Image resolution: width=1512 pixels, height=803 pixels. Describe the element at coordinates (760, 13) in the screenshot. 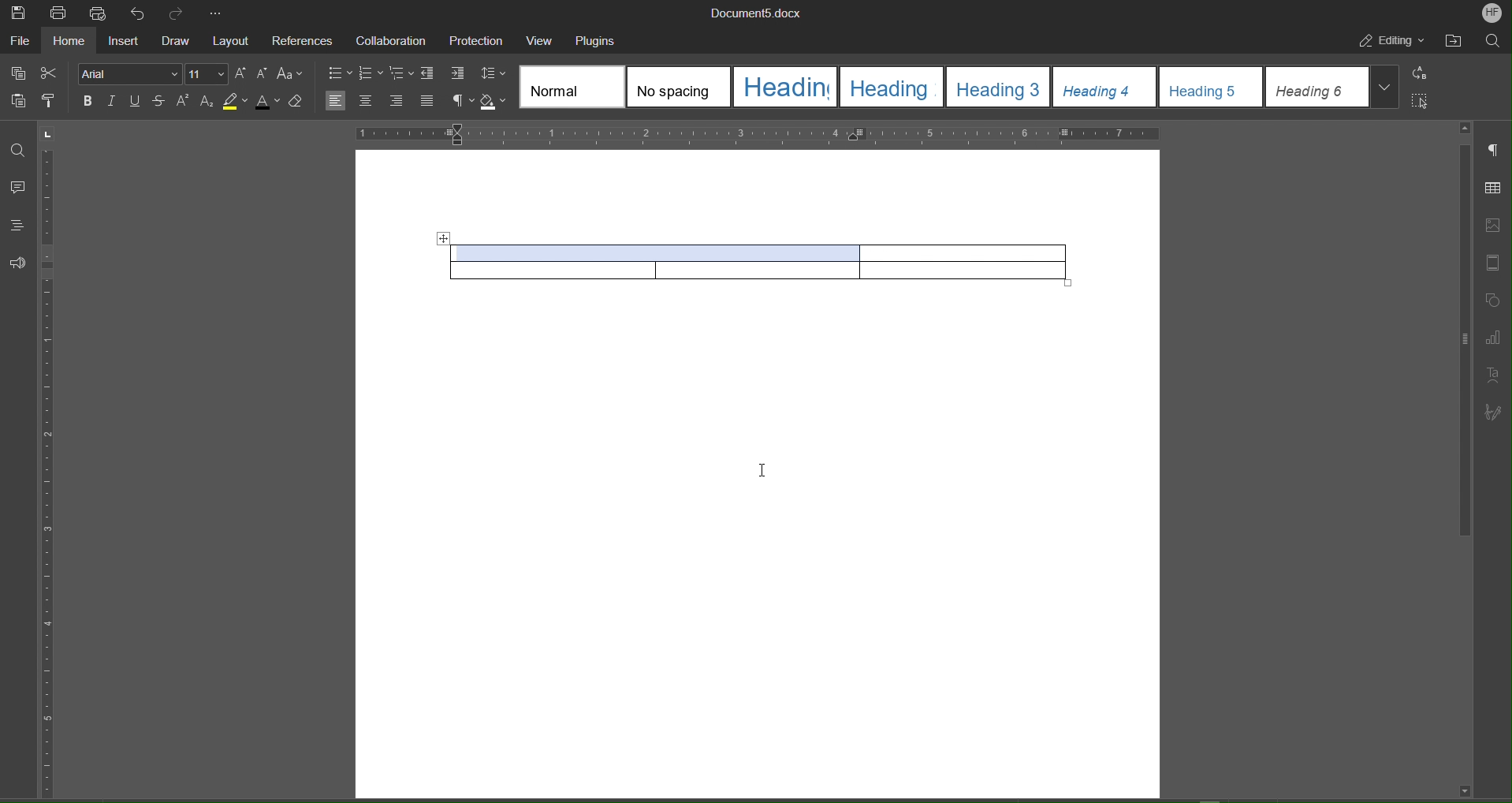

I see `Document Name` at that location.